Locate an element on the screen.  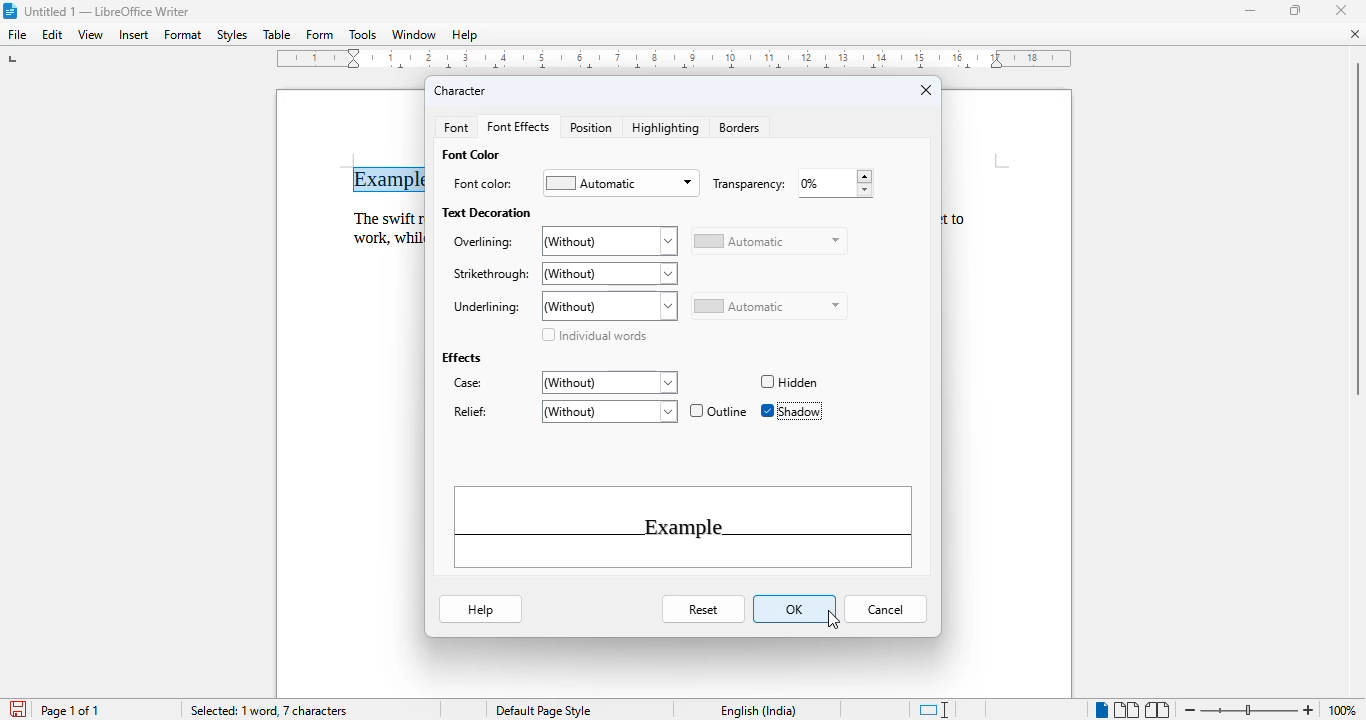
table is located at coordinates (277, 35).